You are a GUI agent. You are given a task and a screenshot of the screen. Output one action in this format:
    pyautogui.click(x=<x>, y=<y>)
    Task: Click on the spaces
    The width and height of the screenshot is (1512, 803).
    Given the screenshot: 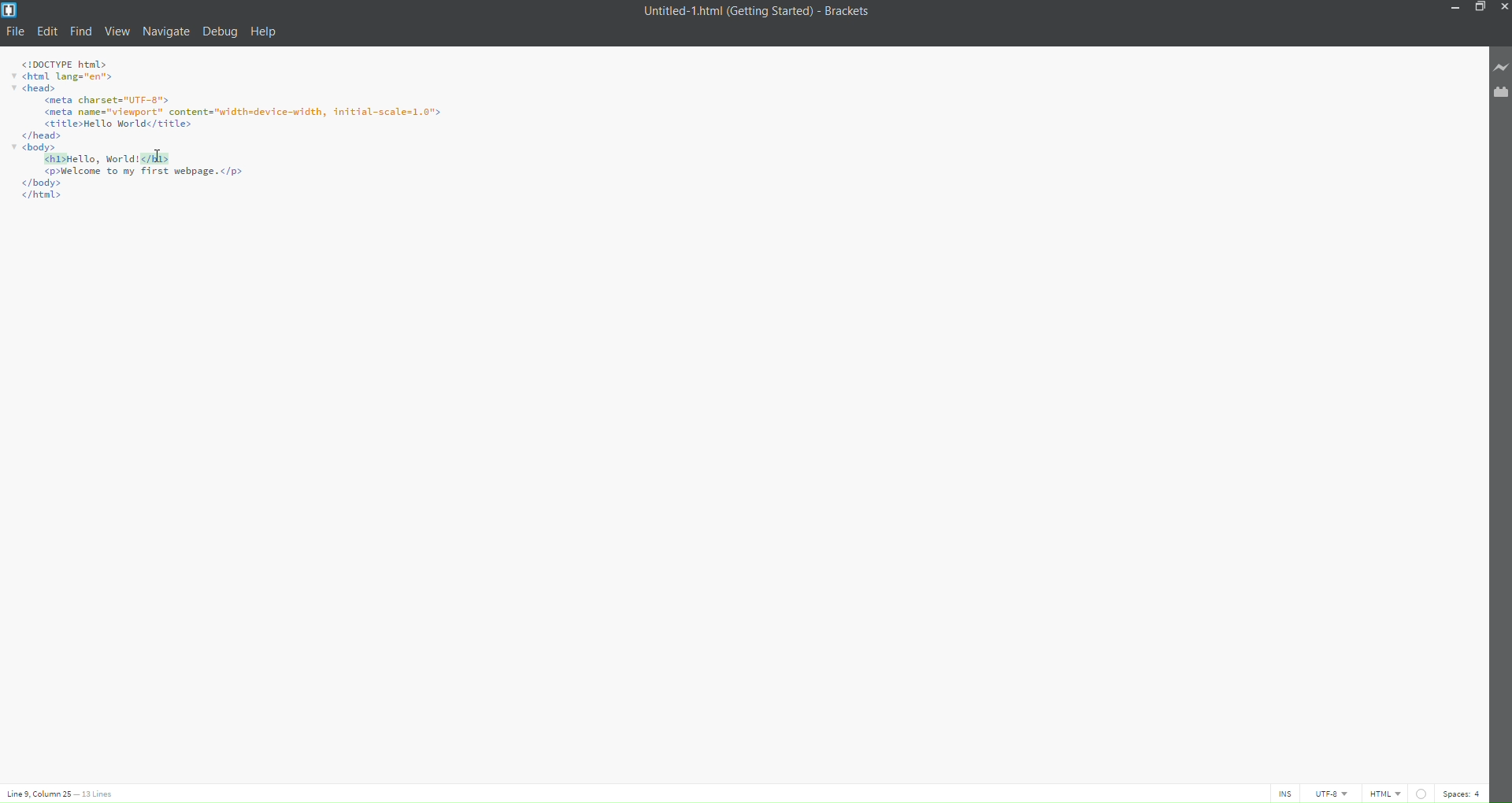 What is the action you would take?
    pyautogui.click(x=1463, y=792)
    